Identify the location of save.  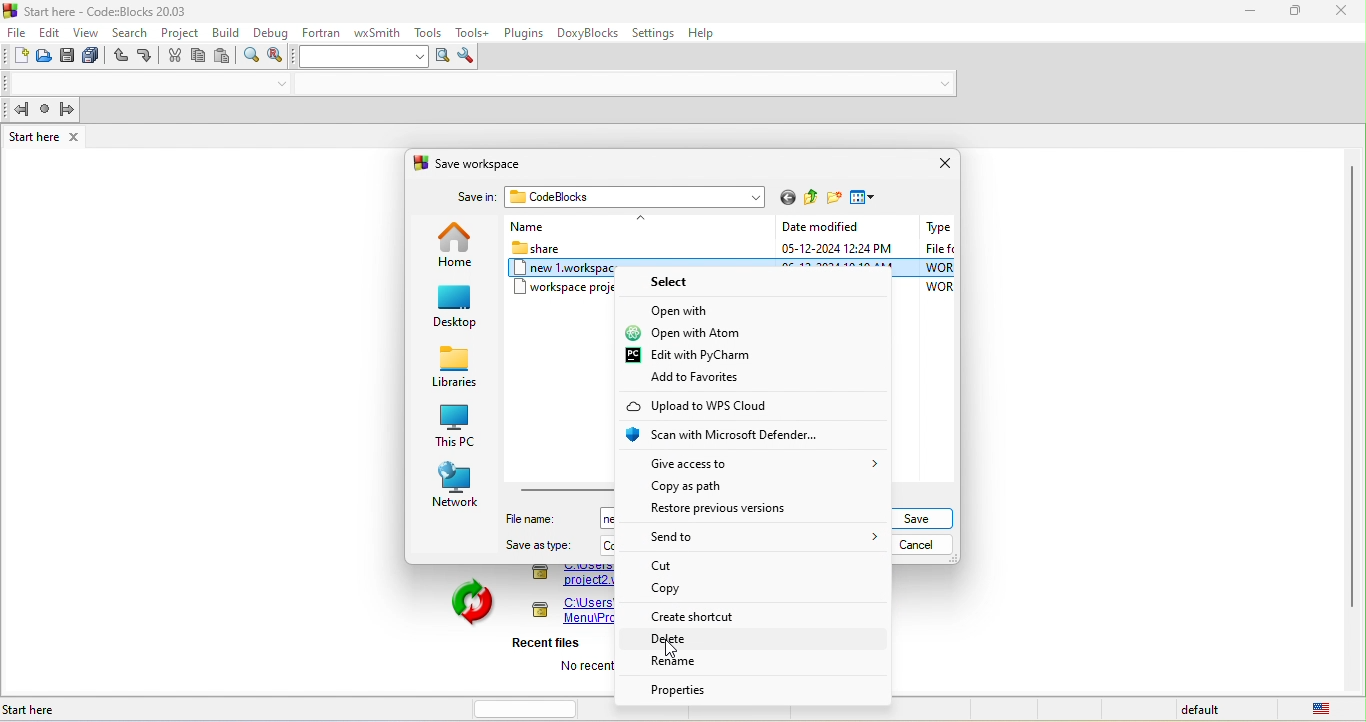
(69, 58).